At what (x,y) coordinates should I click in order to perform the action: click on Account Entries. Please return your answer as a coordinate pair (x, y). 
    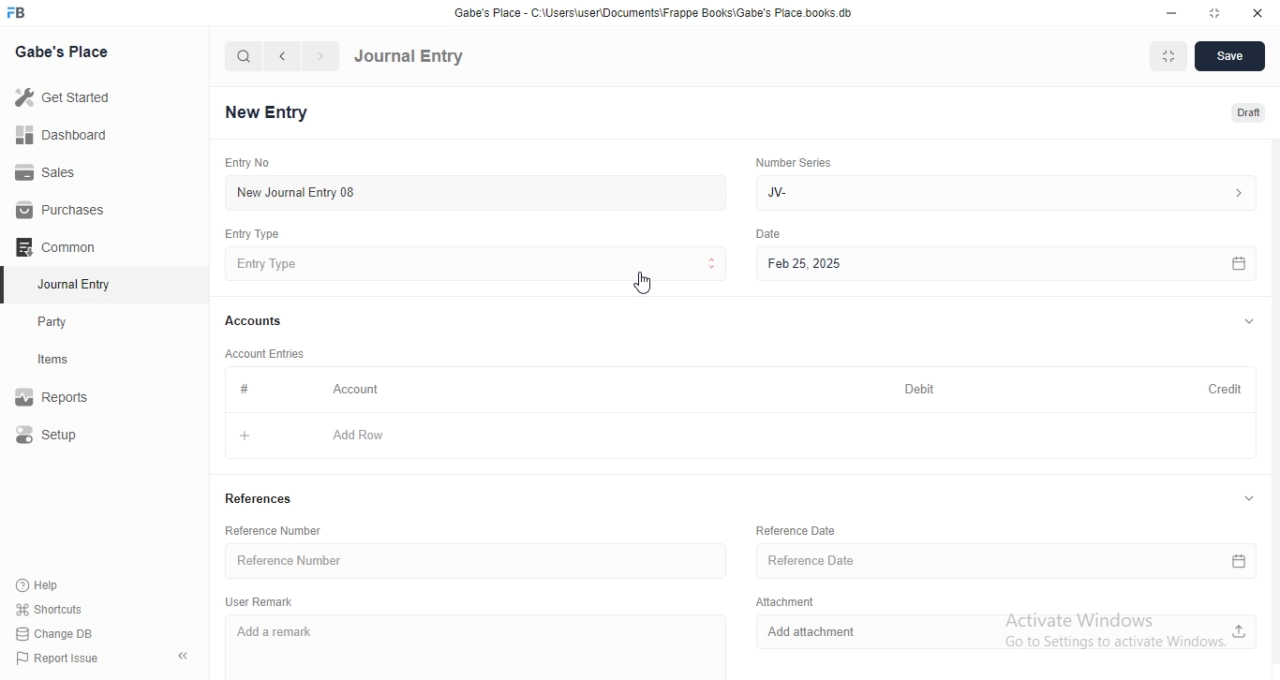
    Looking at the image, I should click on (267, 354).